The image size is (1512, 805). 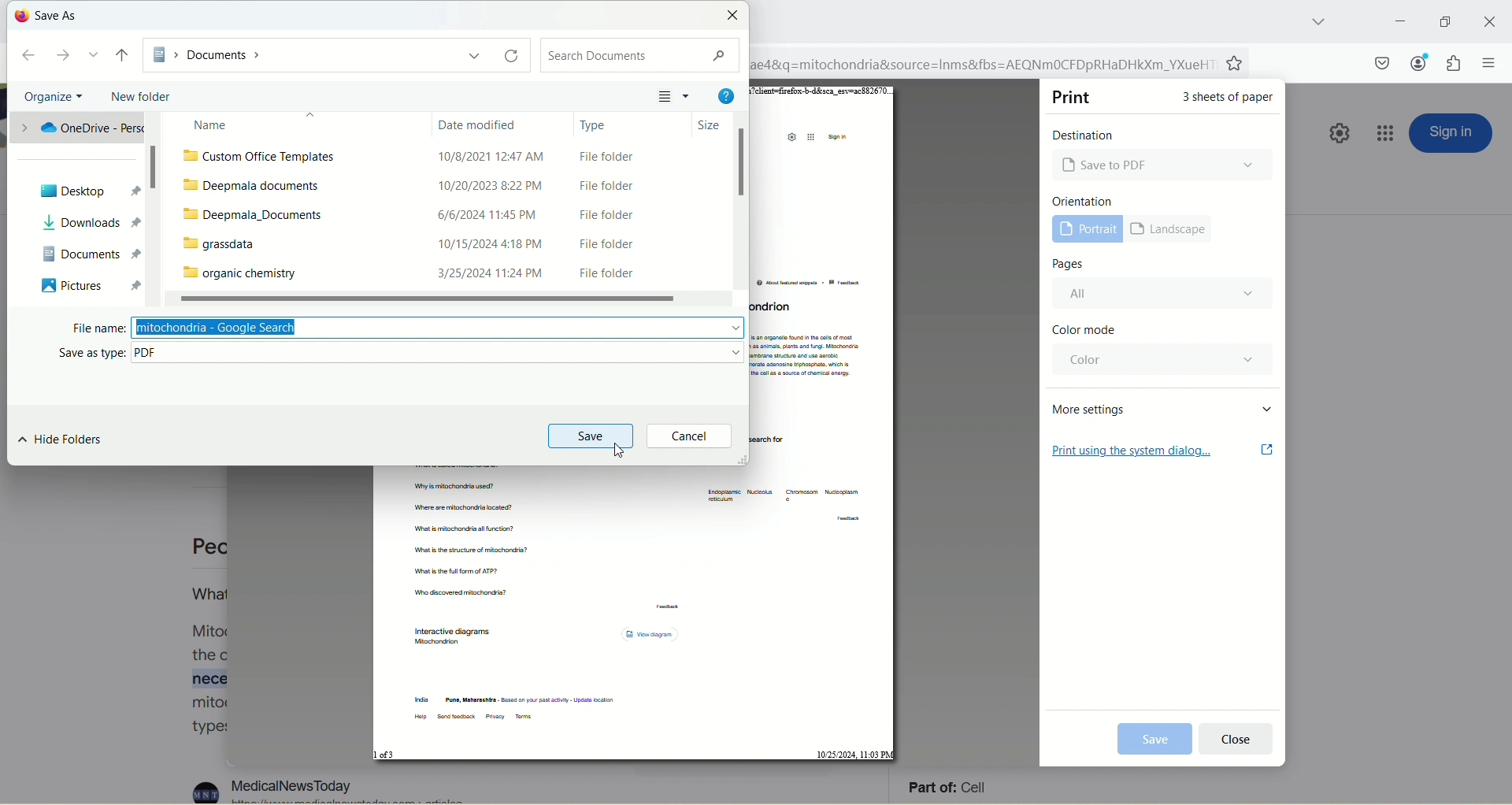 I want to click on extension, so click(x=1457, y=63).